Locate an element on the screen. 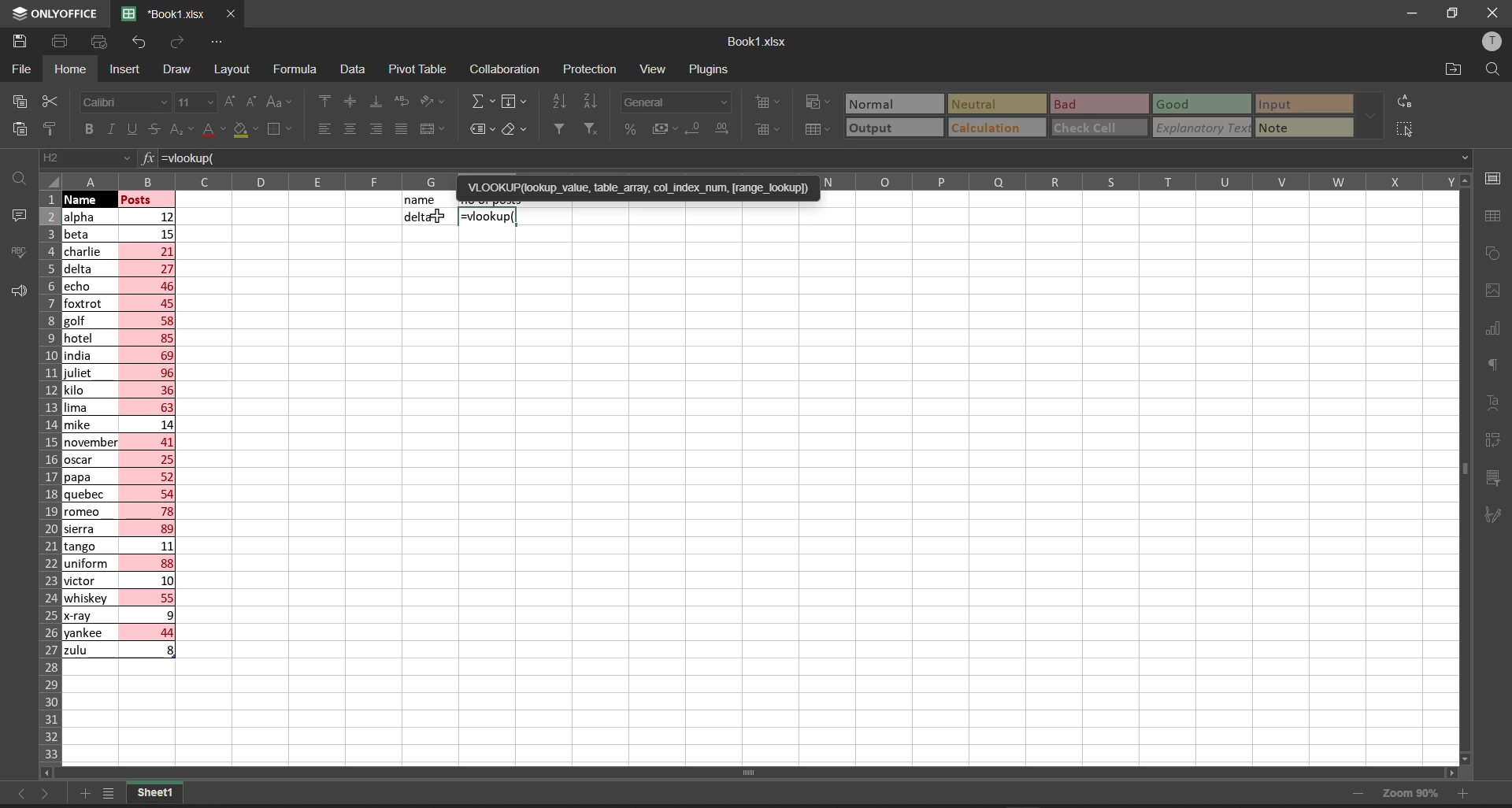 Image resolution: width=1512 pixels, height=808 pixels. column names is located at coordinates (750, 176).